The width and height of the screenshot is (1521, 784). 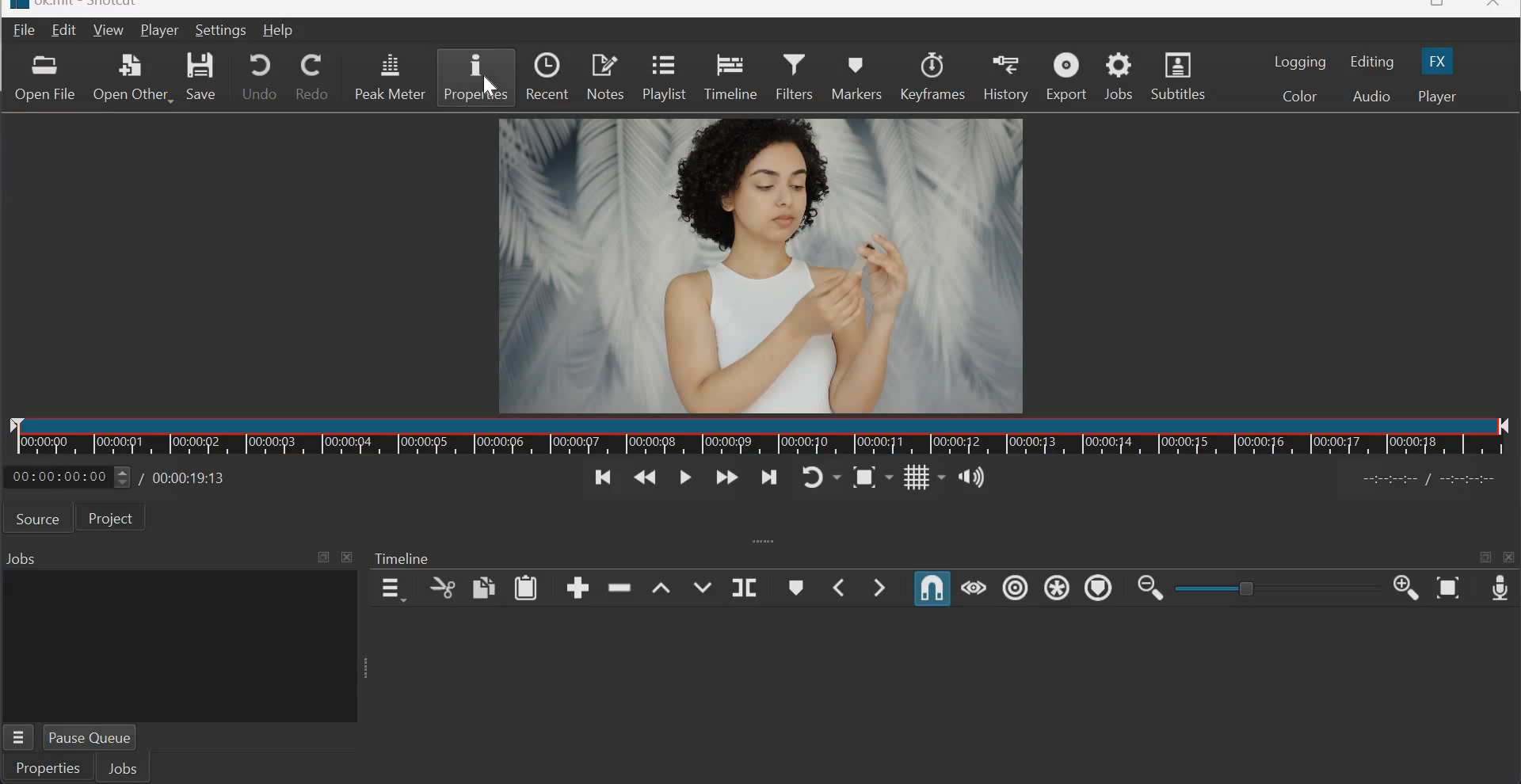 What do you see at coordinates (761, 436) in the screenshot?
I see `Timeline` at bounding box center [761, 436].